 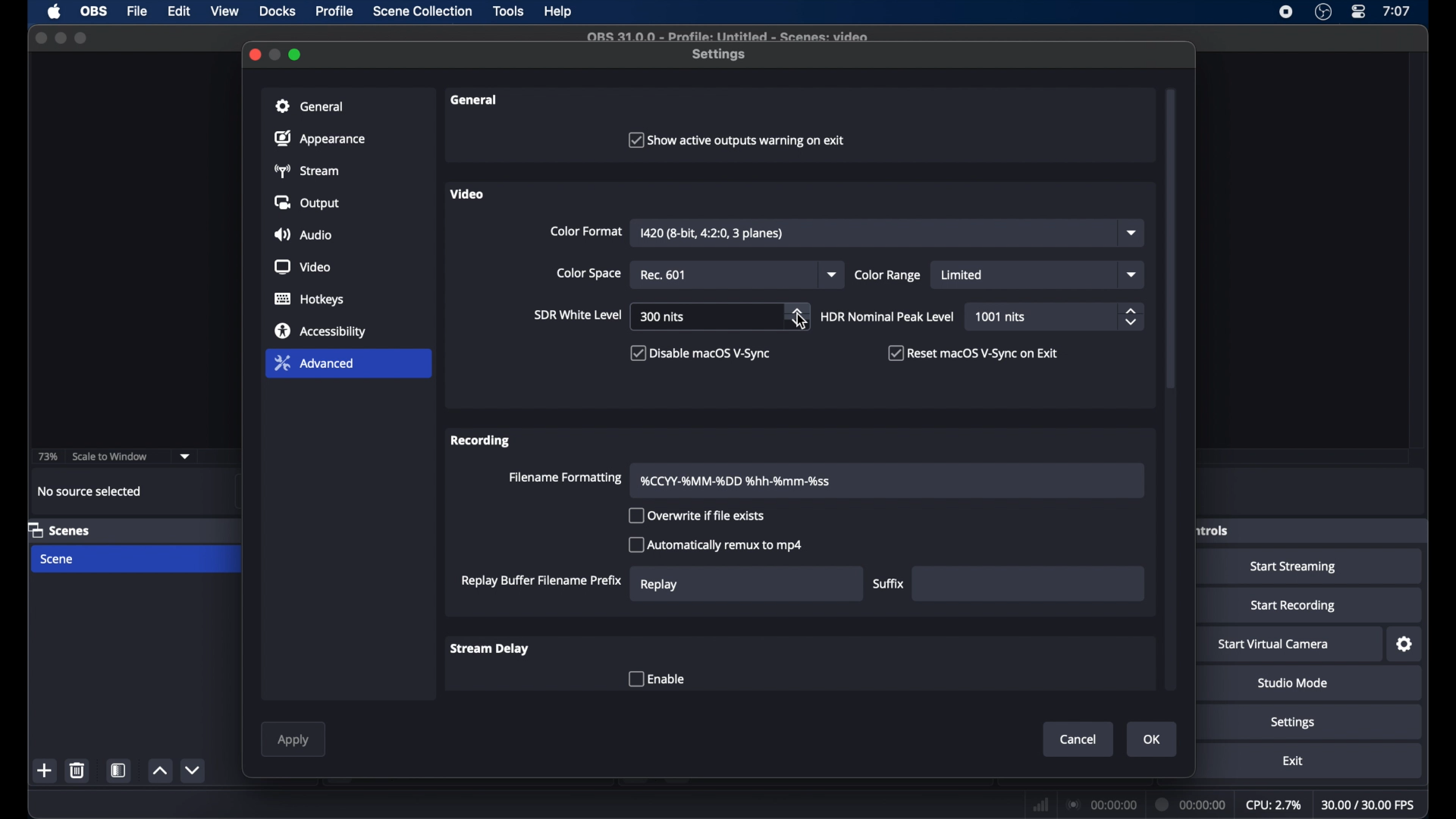 What do you see at coordinates (94, 10) in the screenshot?
I see `obs` at bounding box center [94, 10].